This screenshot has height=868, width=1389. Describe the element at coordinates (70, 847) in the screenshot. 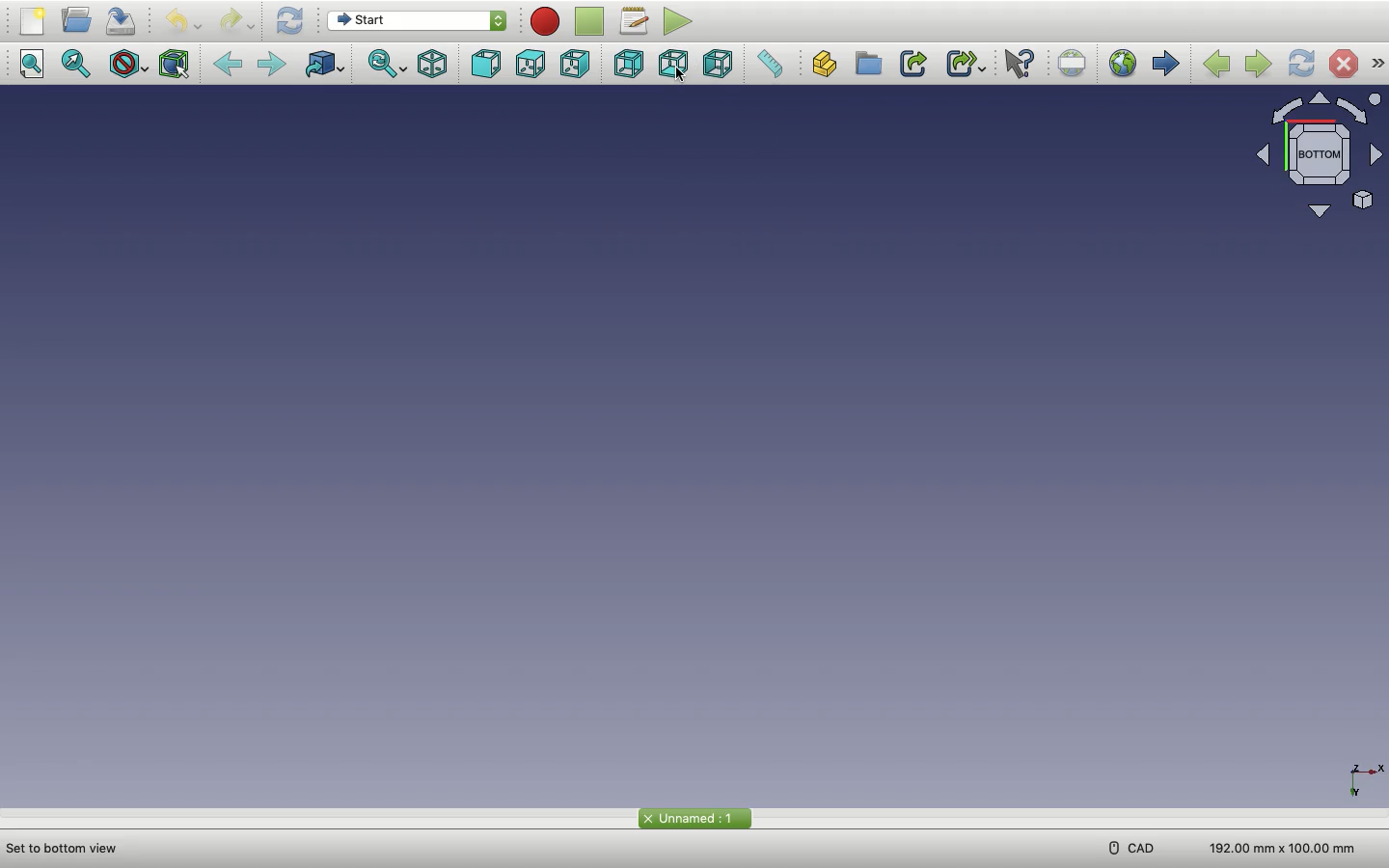

I see `Address` at that location.